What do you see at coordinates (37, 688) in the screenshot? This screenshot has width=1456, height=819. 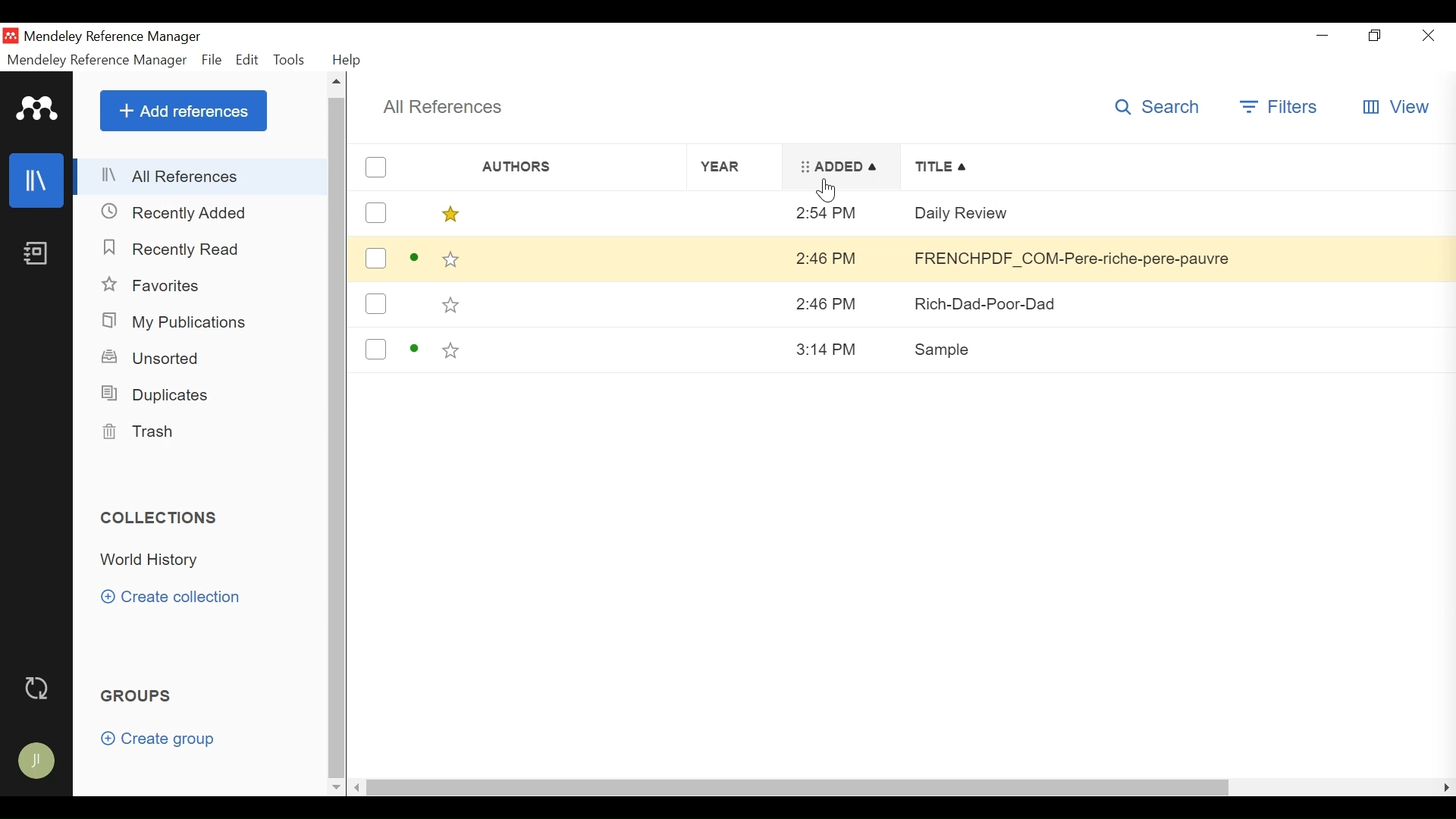 I see `Sync` at bounding box center [37, 688].